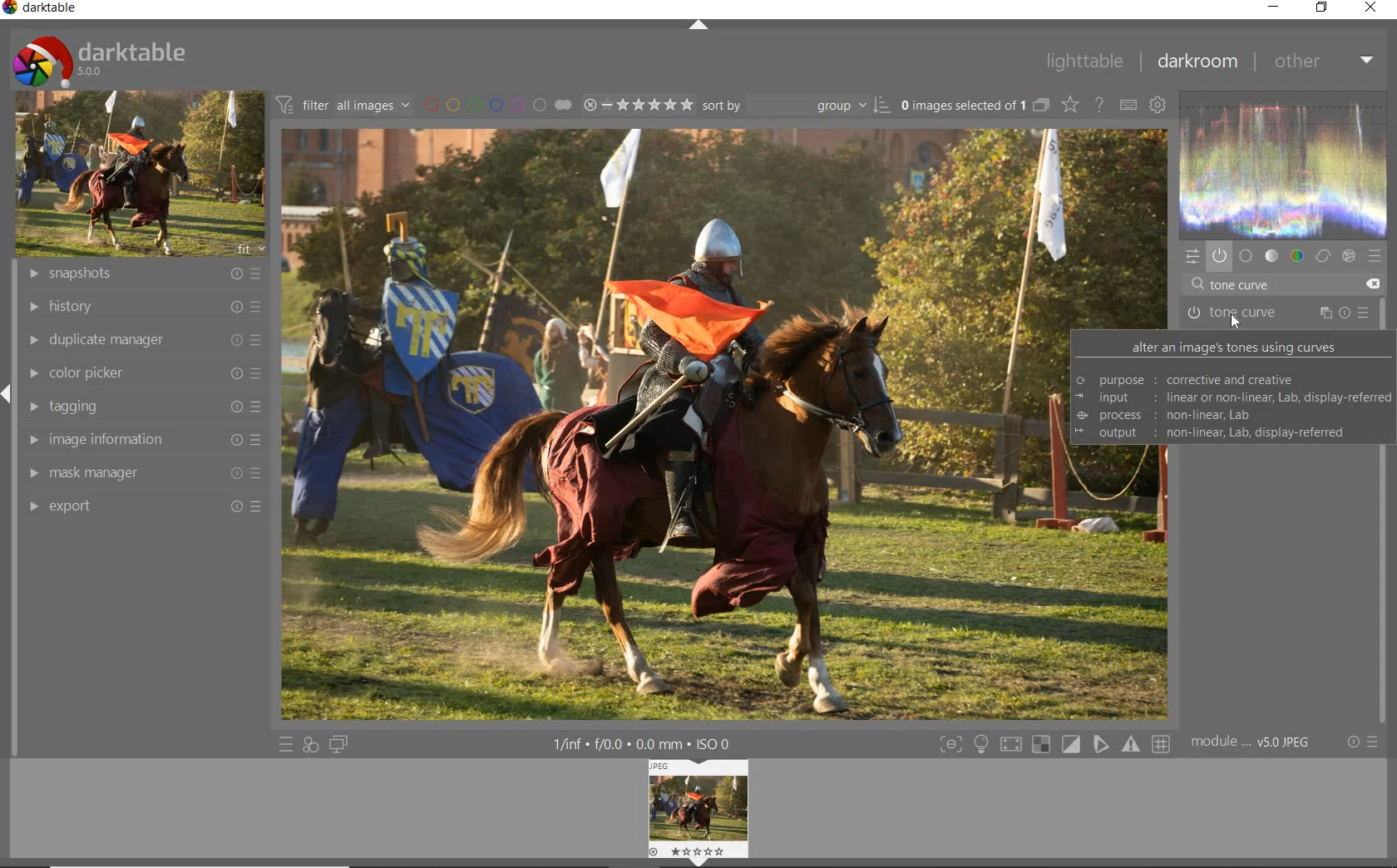 This screenshot has height=868, width=1397. I want to click on 1/fnf f/0.0 0.0 mm ISO 0, so click(649, 743).